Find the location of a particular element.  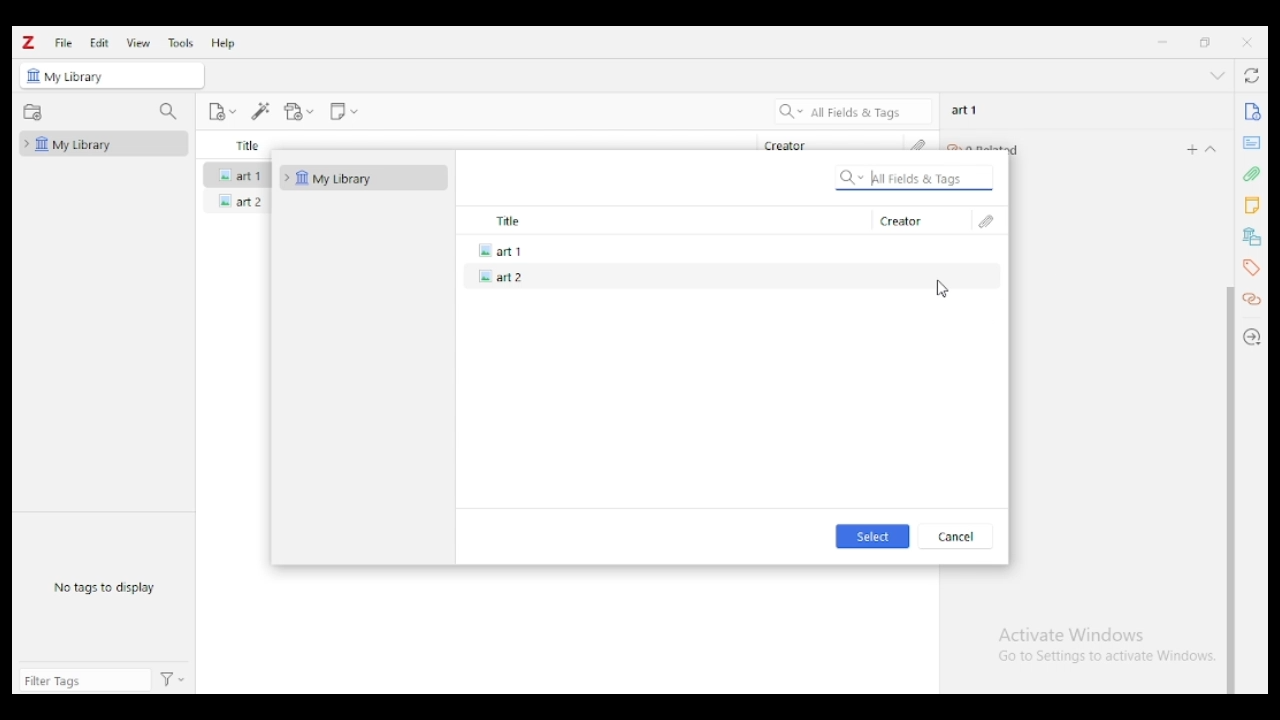

tags is located at coordinates (1250, 267).